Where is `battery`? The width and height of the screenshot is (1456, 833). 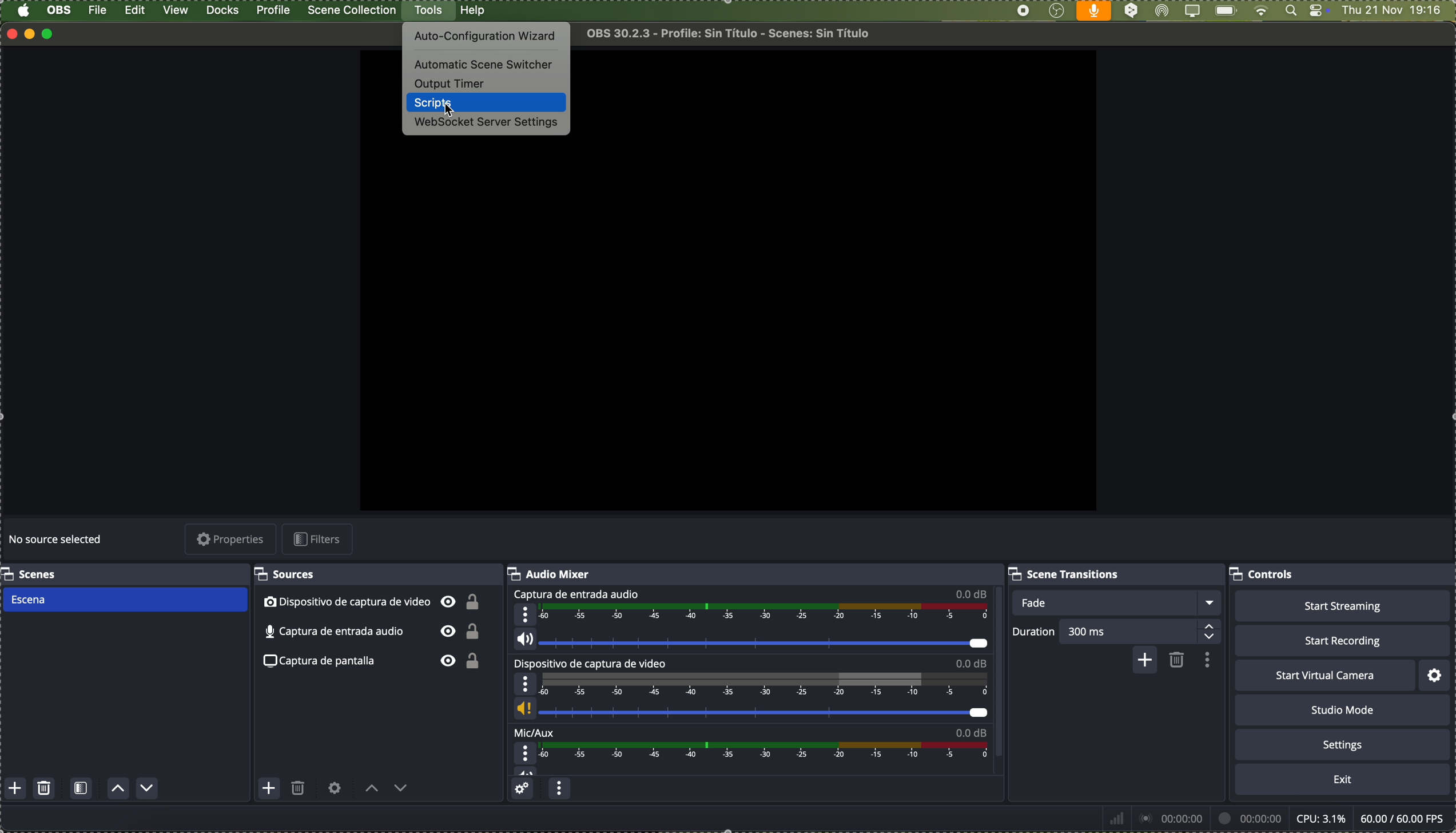
battery is located at coordinates (1225, 11).